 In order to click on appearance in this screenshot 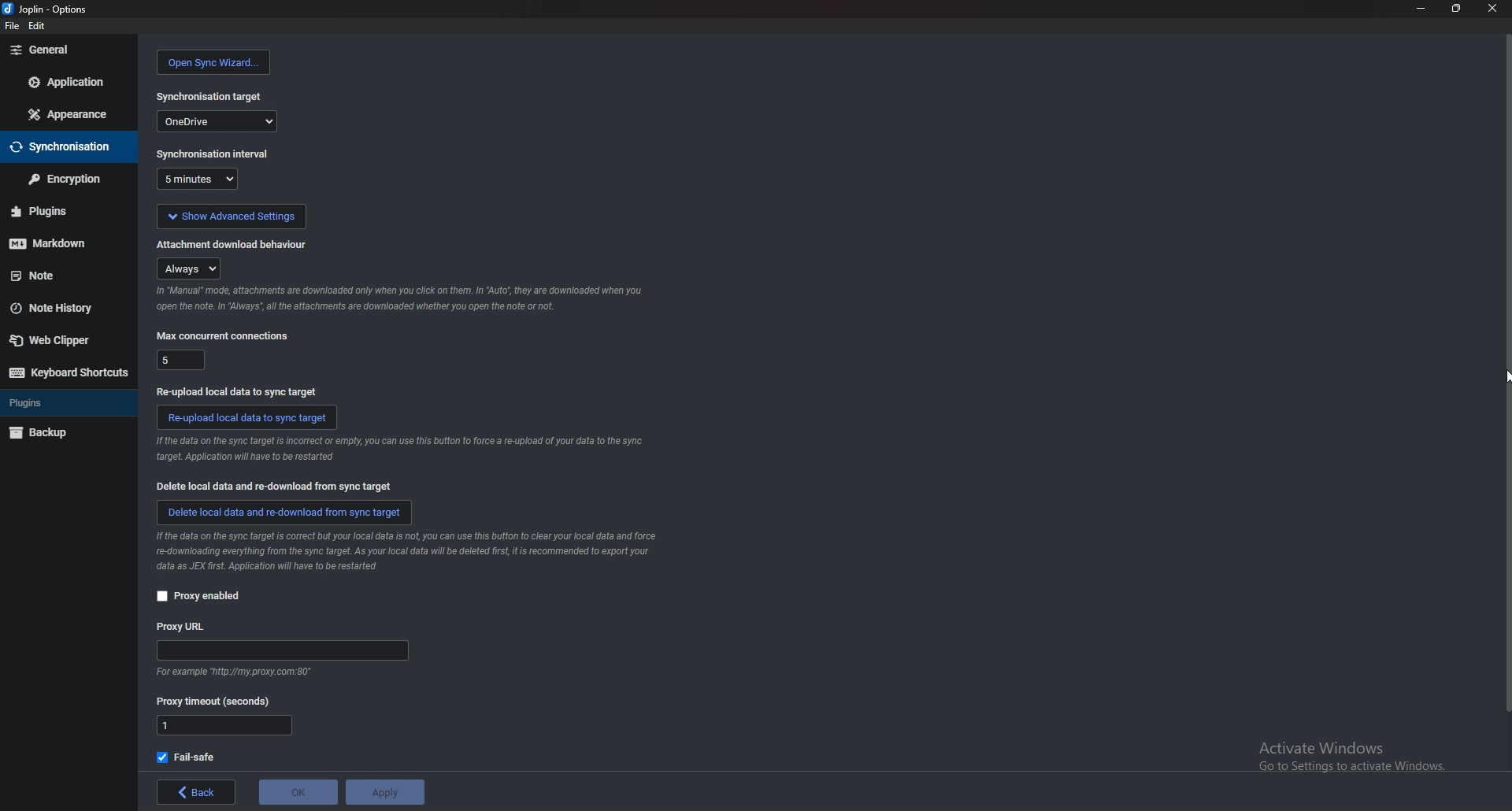, I will do `click(70, 113)`.